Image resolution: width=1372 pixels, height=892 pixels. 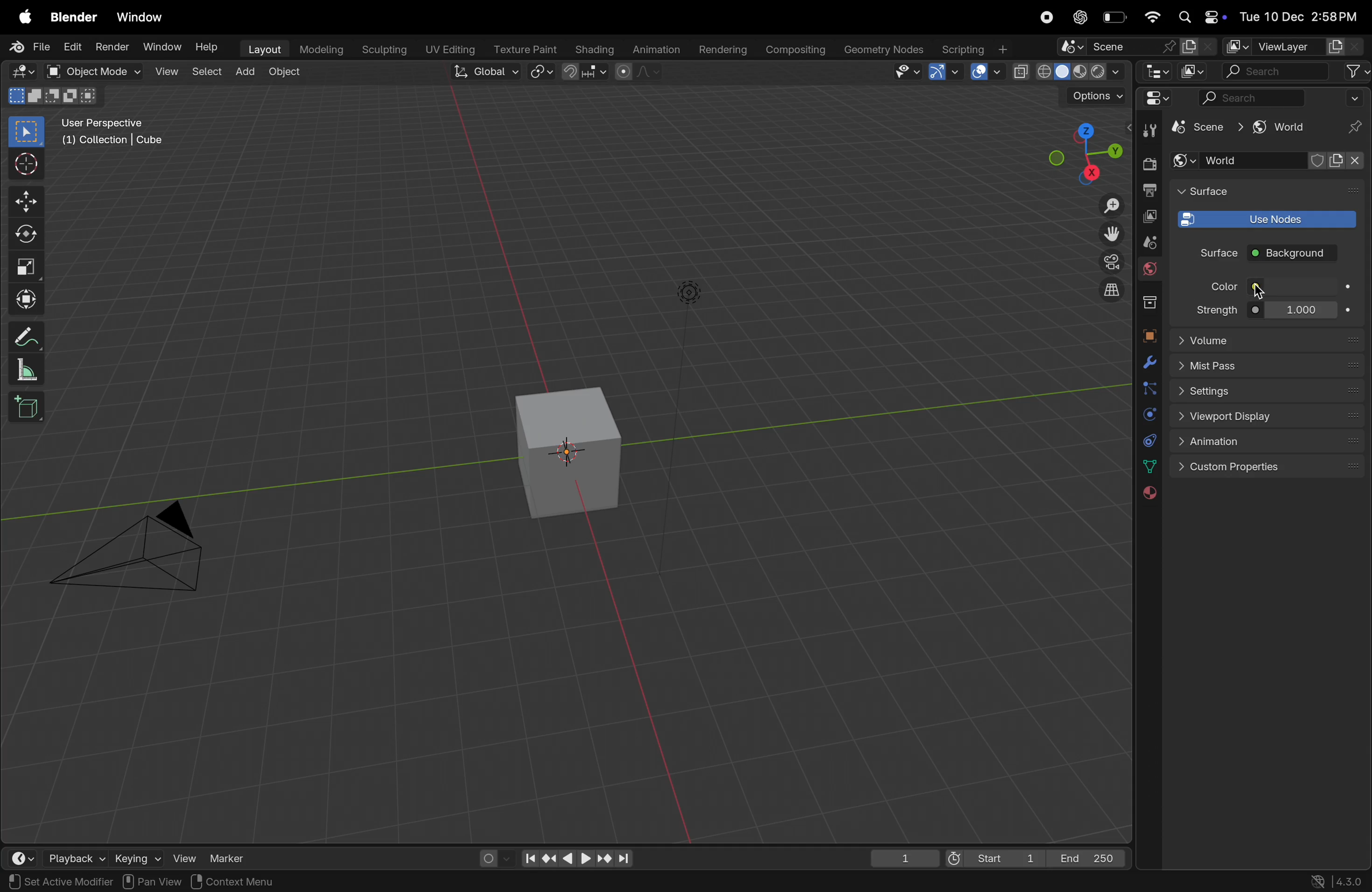 I want to click on cursor, so click(x=27, y=163).